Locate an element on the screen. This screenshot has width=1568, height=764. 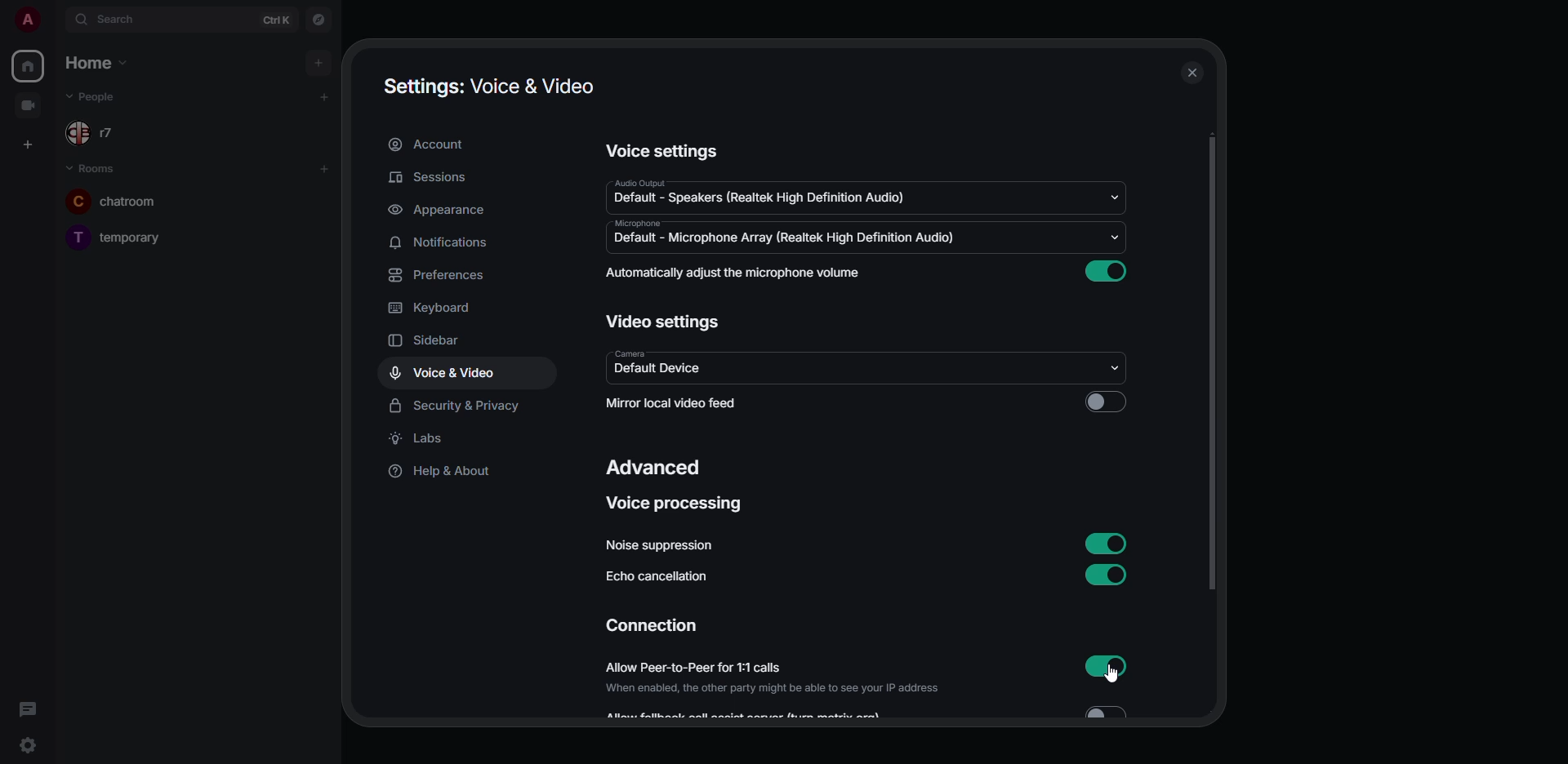
default is located at coordinates (786, 238).